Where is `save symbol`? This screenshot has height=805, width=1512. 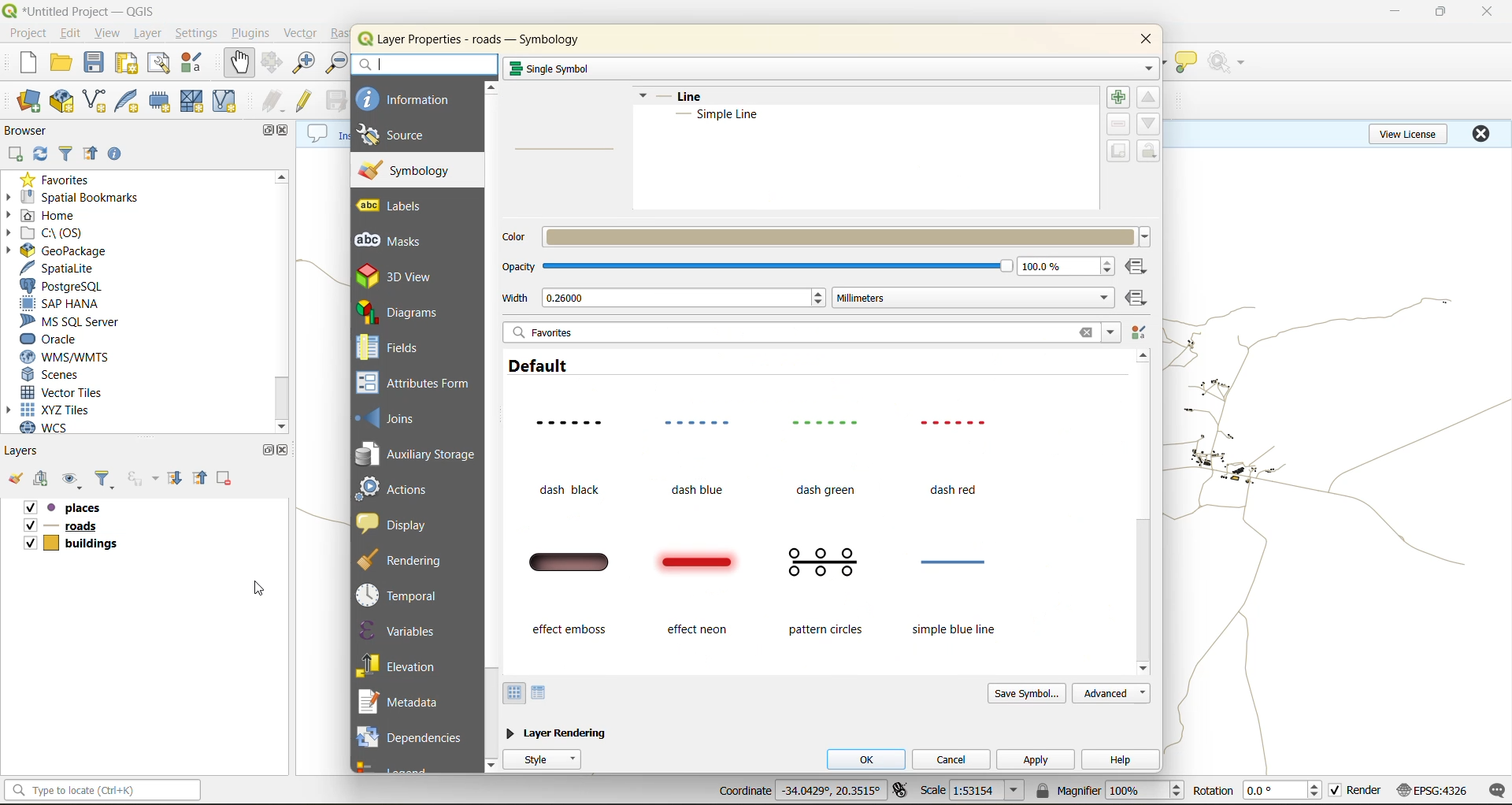 save symbol is located at coordinates (1028, 693).